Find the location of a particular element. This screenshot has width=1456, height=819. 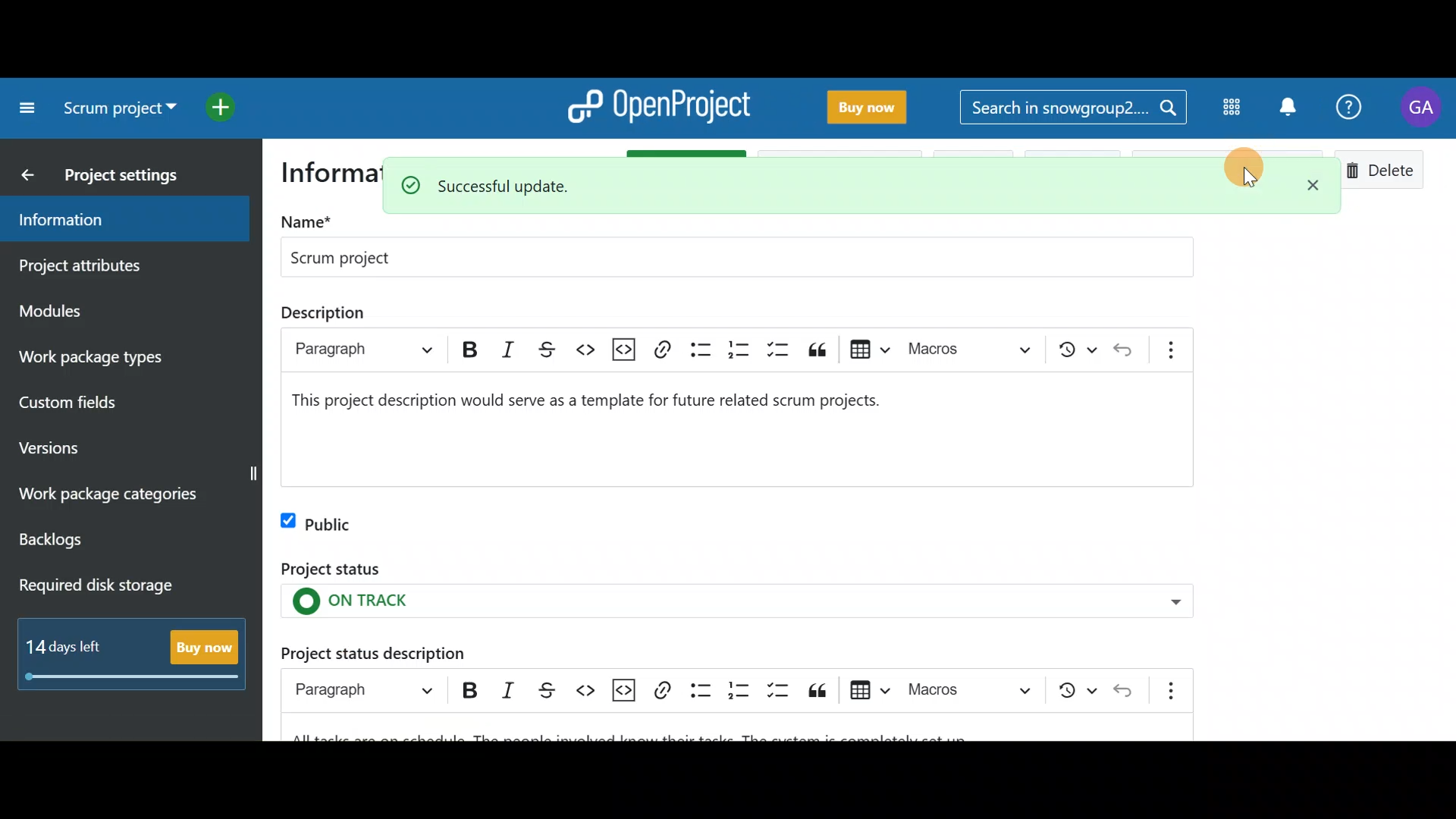

Collapse project menu is located at coordinates (24, 108).